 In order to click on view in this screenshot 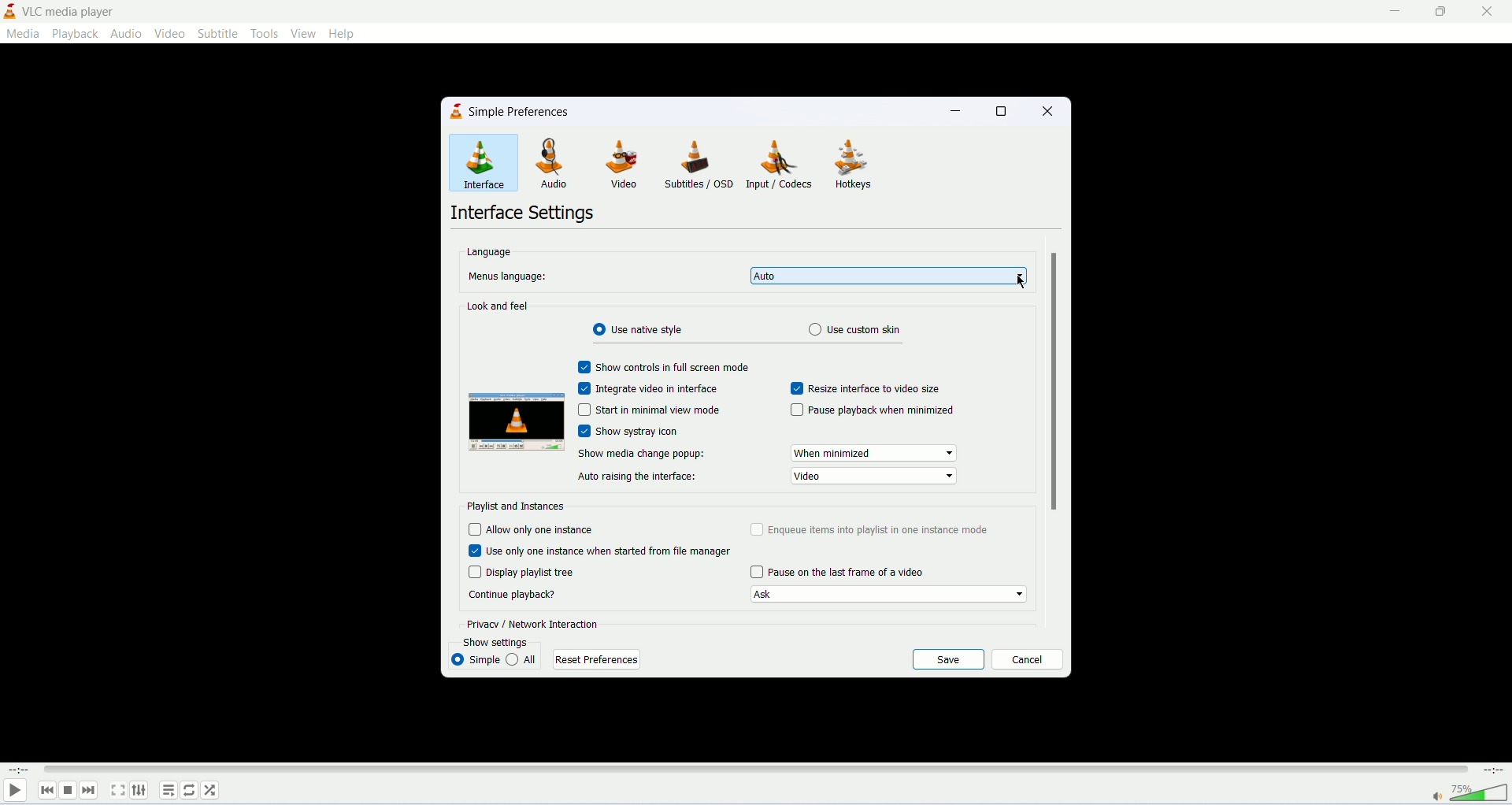, I will do `click(303, 33)`.